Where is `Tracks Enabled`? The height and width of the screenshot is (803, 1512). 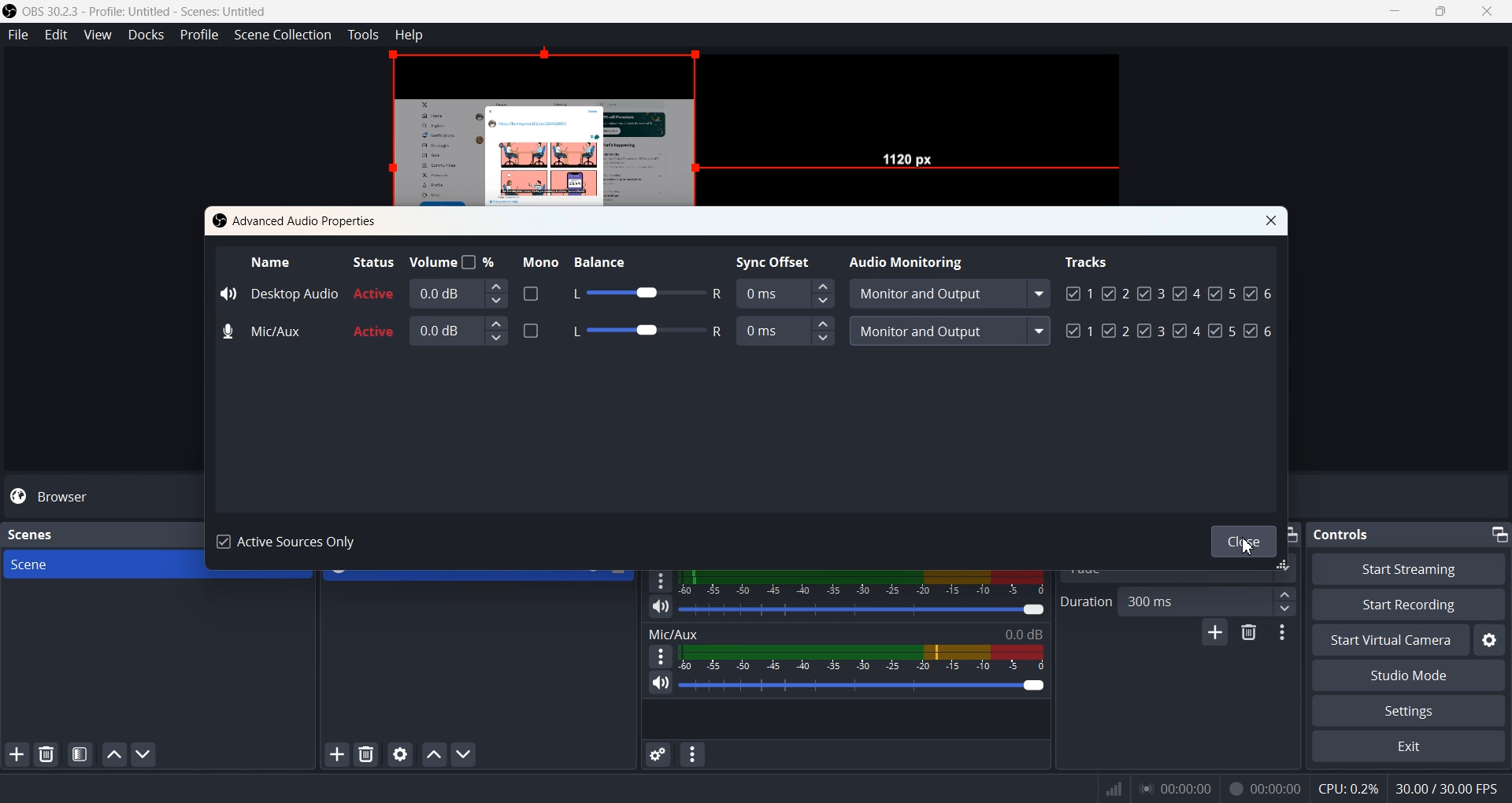
Tracks Enabled is located at coordinates (1169, 309).